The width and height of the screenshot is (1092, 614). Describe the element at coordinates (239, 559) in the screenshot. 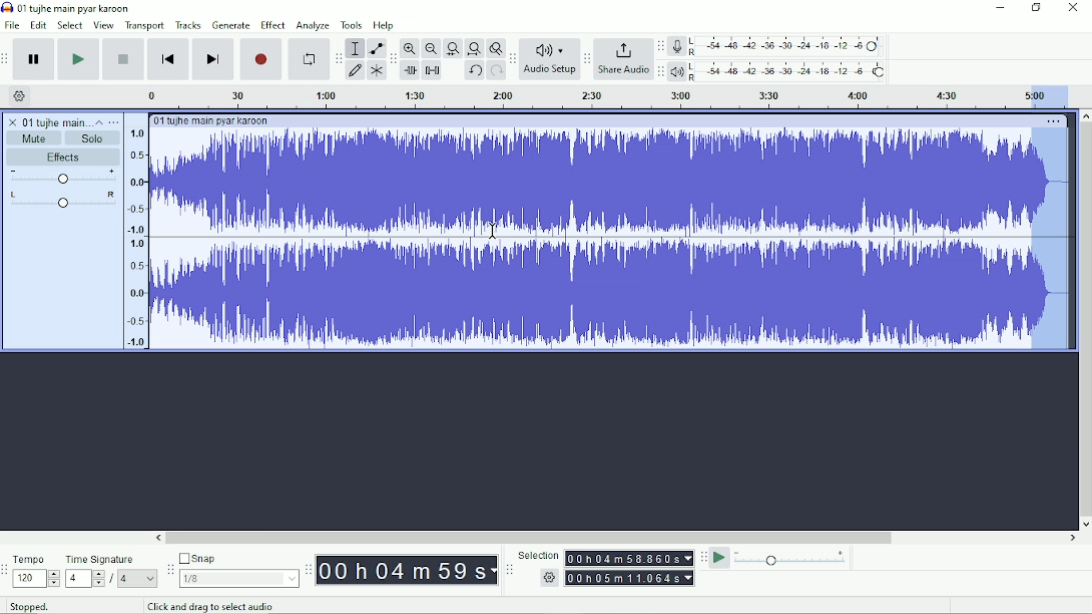

I see `Snap` at that location.